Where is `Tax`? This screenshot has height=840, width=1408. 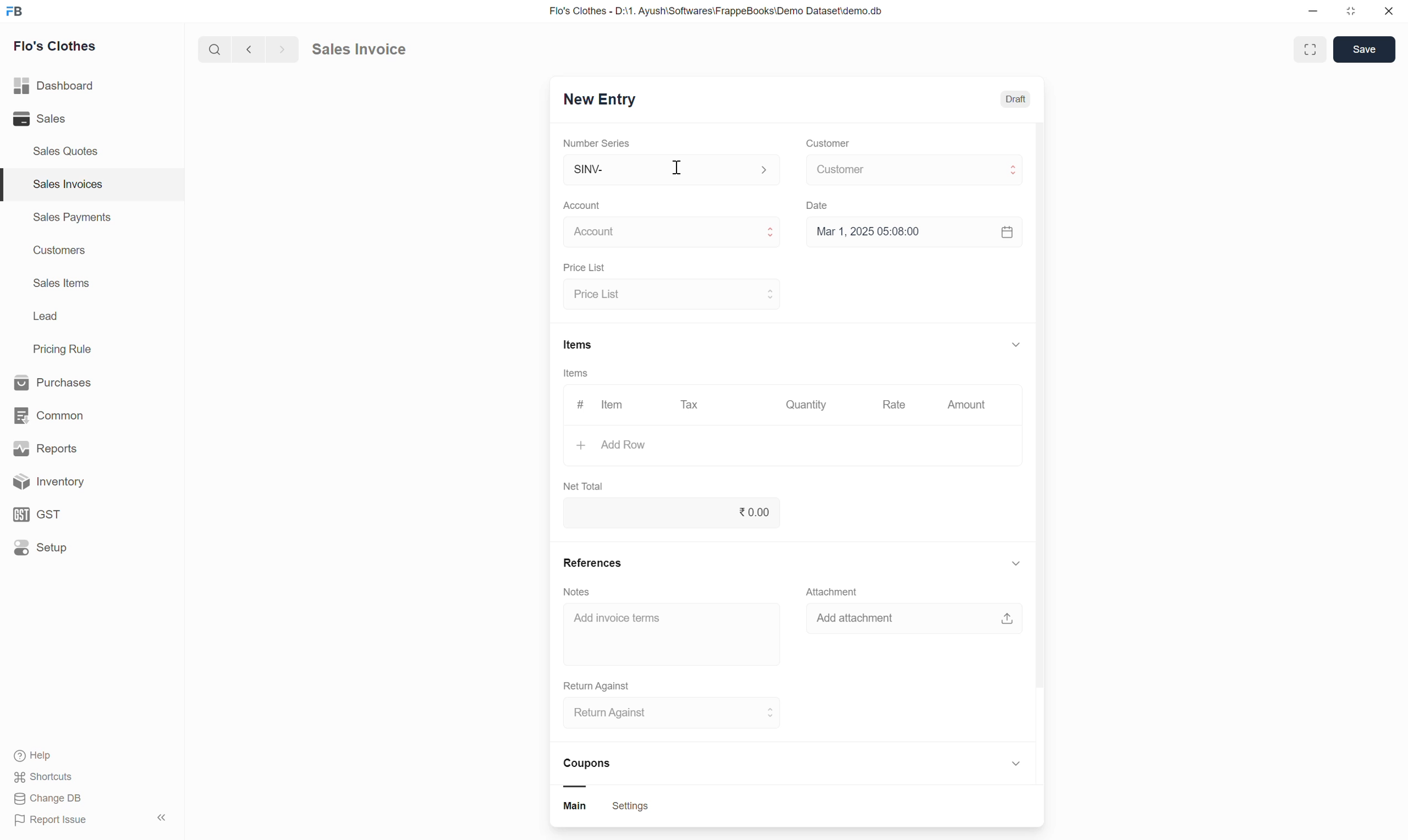
Tax is located at coordinates (691, 408).